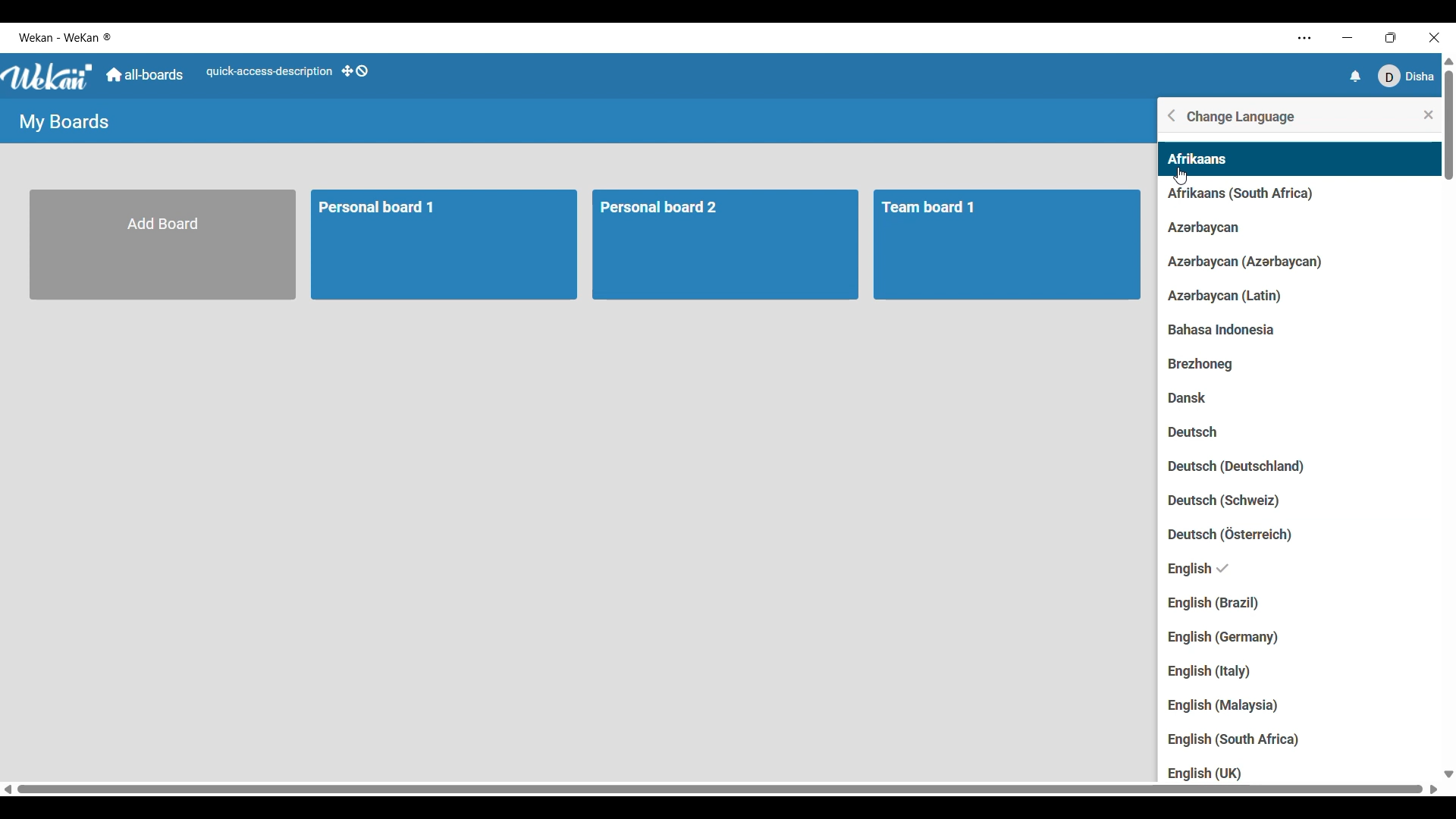  I want to click on Personal board 2, so click(730, 246).